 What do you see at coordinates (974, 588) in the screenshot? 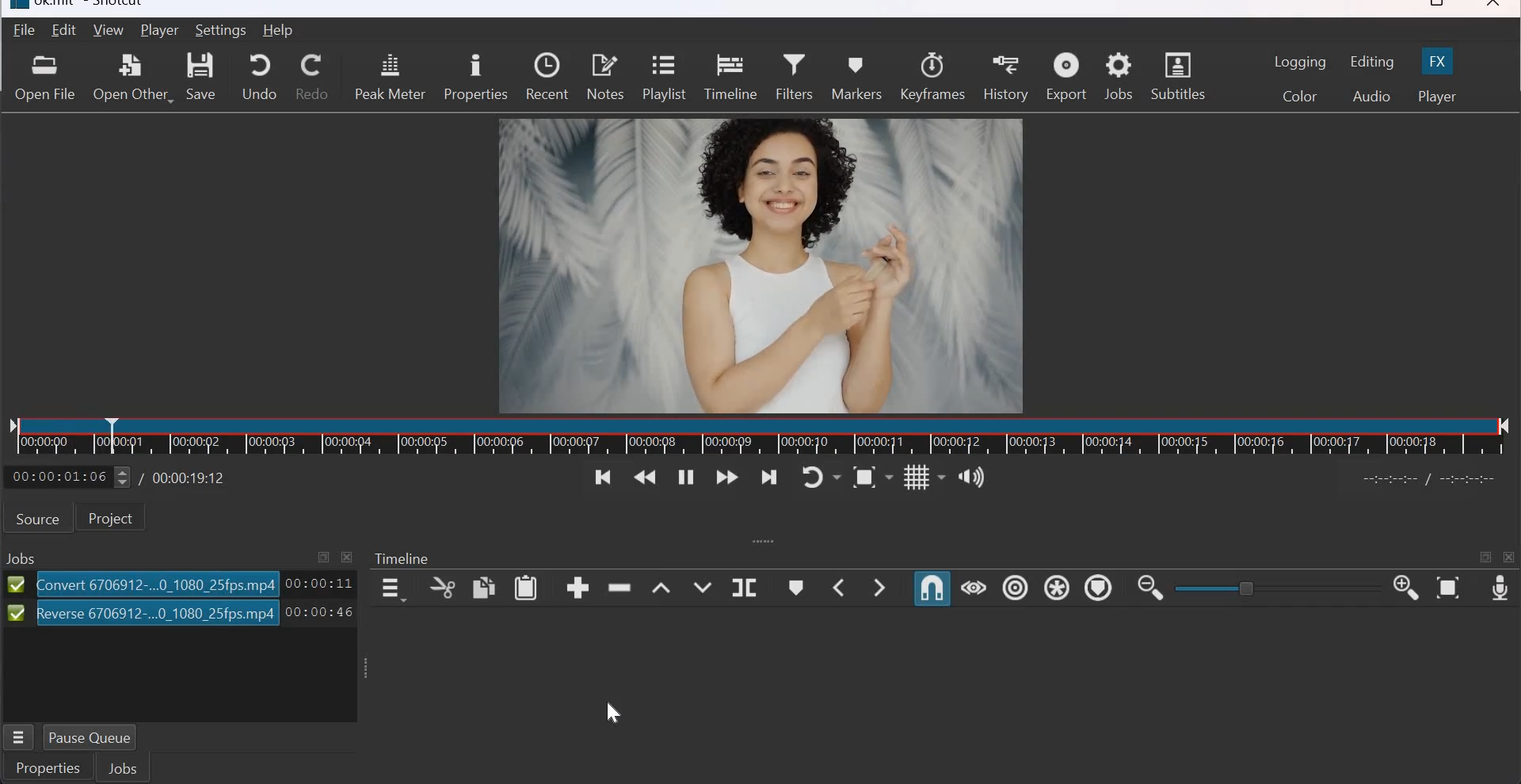
I see `Scrub while dragging` at bounding box center [974, 588].